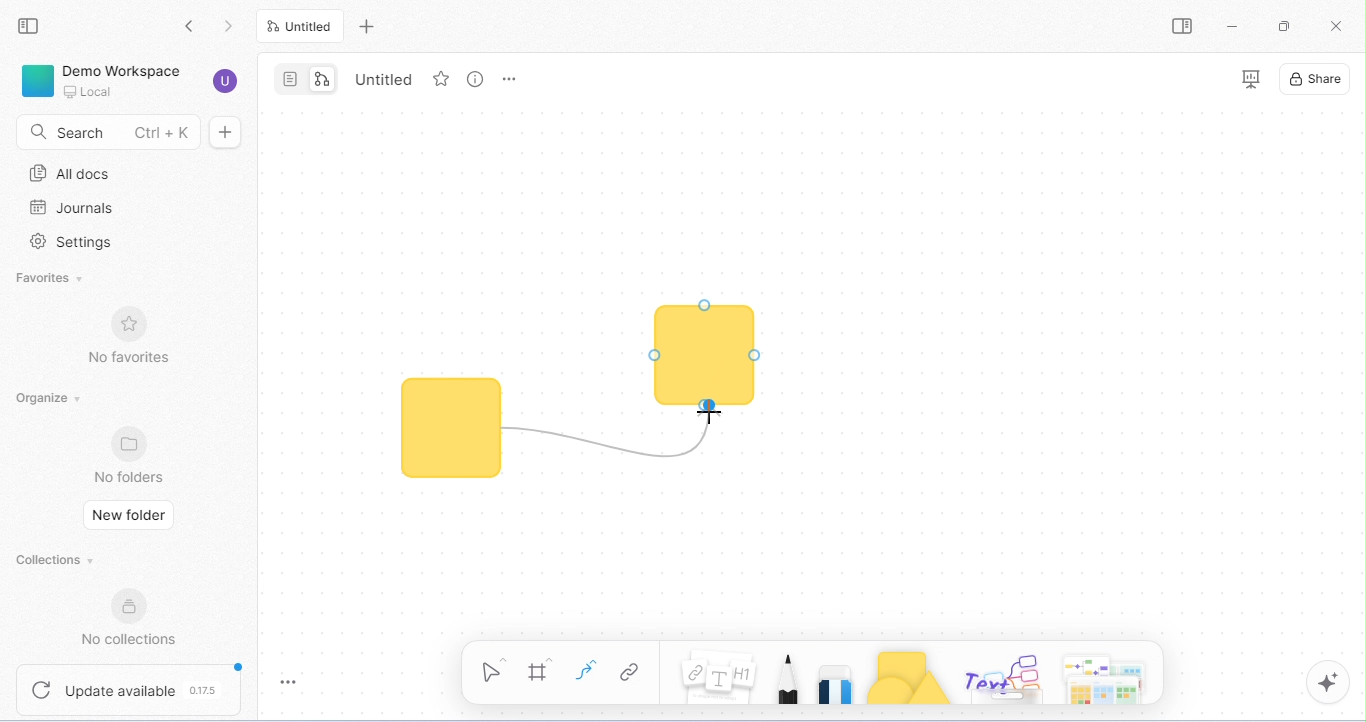  I want to click on link, so click(633, 673).